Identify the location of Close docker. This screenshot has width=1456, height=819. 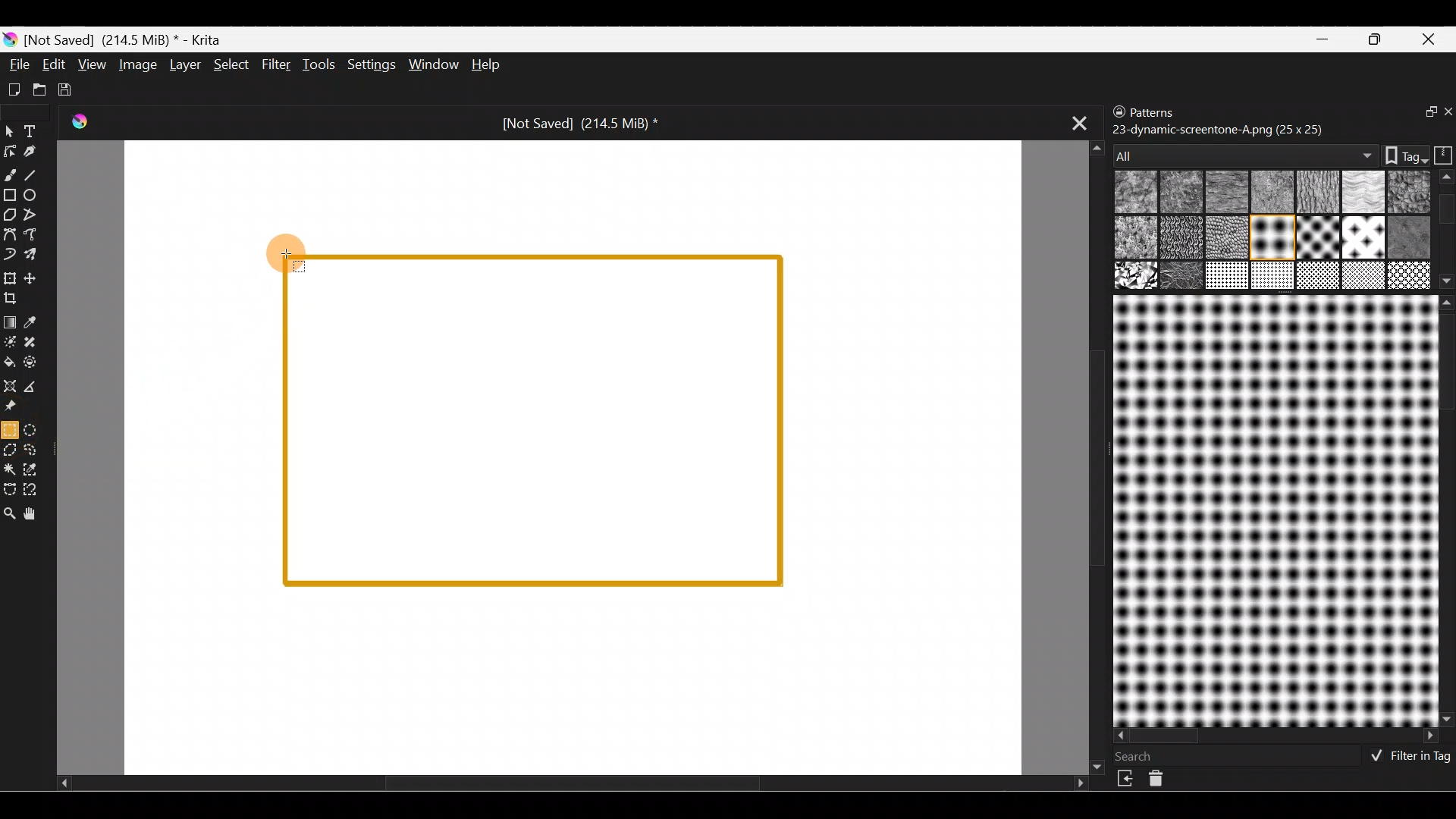
(1446, 113).